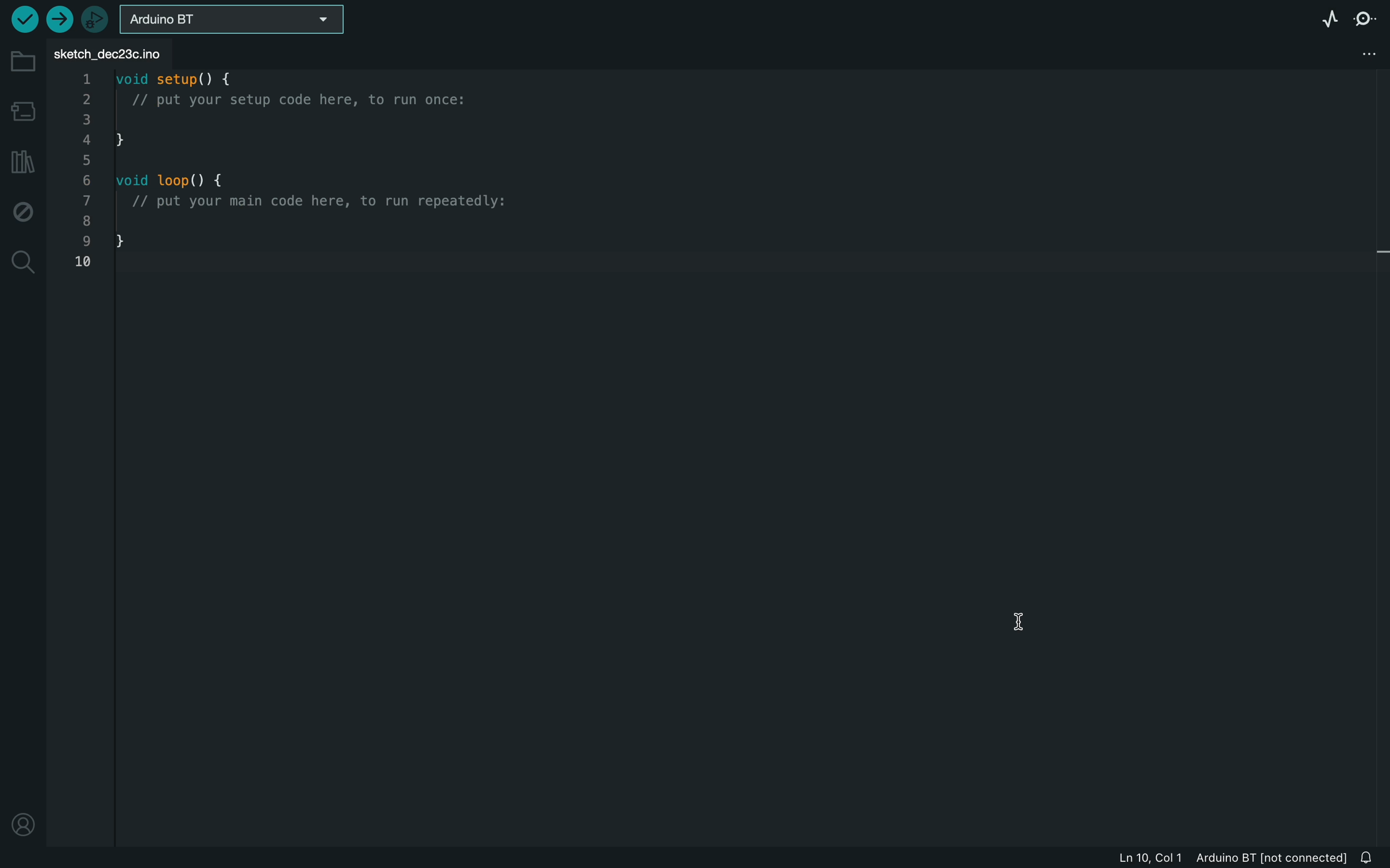  I want to click on debugger, so click(95, 19).